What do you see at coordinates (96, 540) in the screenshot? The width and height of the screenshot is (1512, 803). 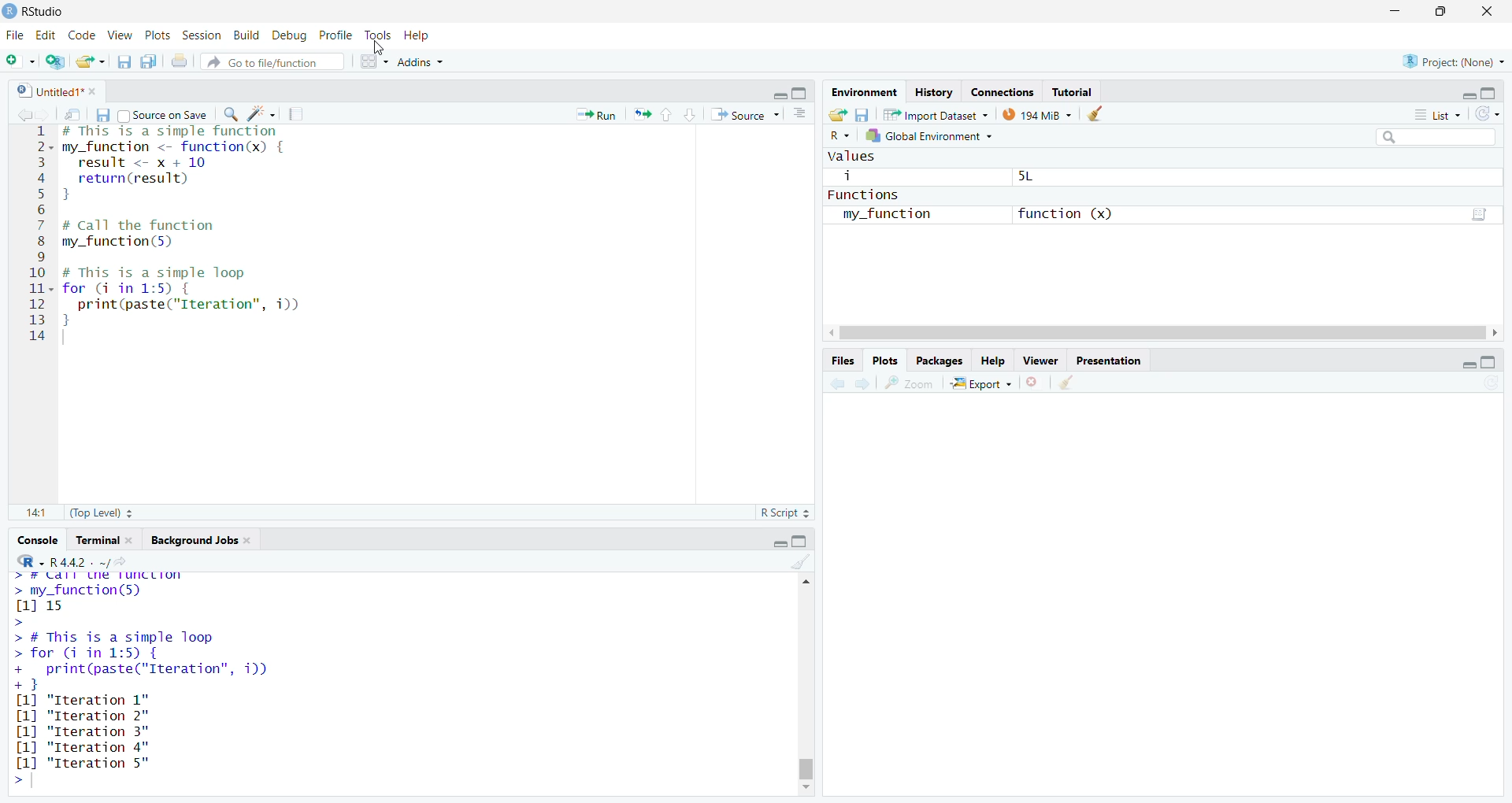 I see `terminal` at bounding box center [96, 540].